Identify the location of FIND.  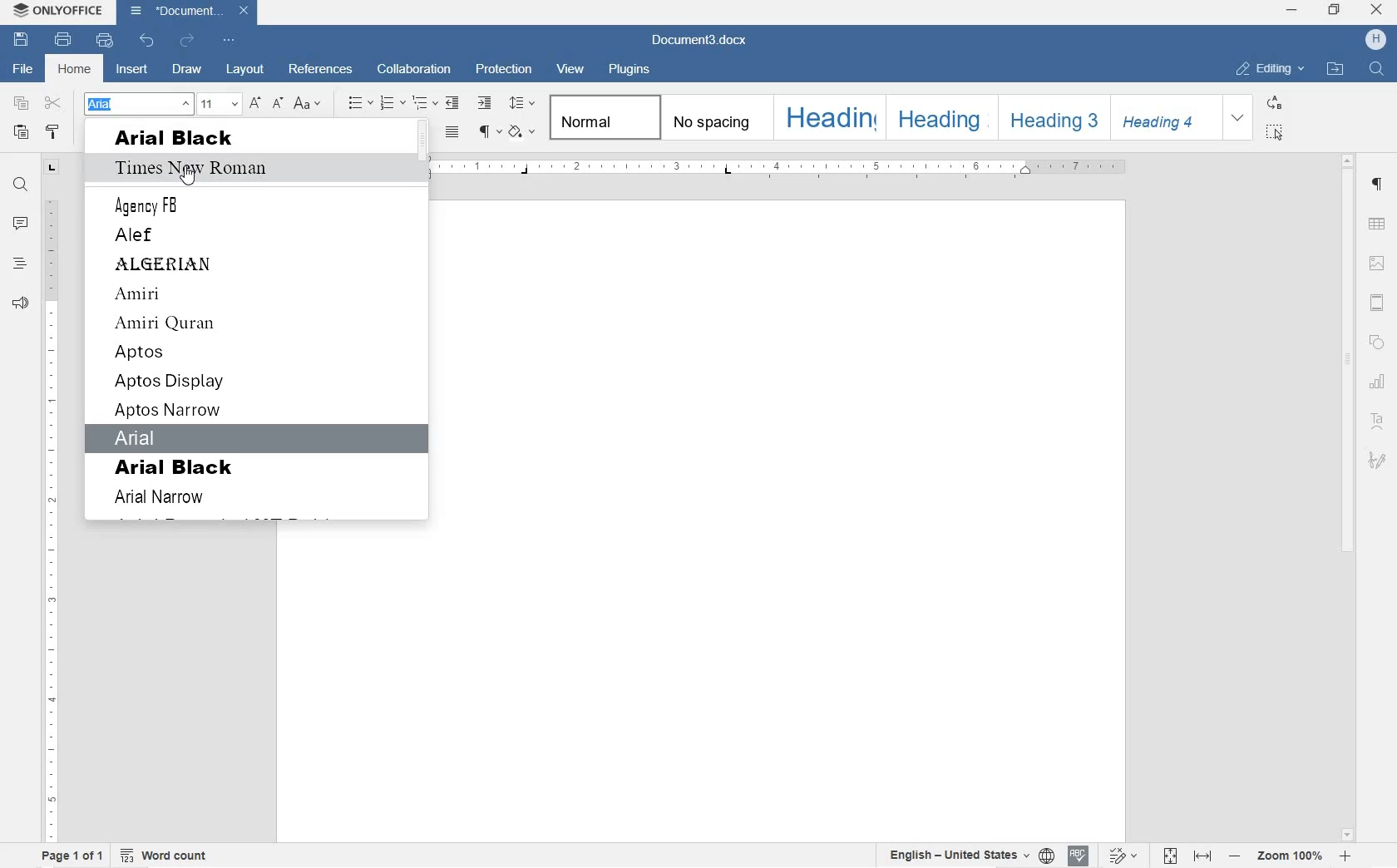
(1376, 68).